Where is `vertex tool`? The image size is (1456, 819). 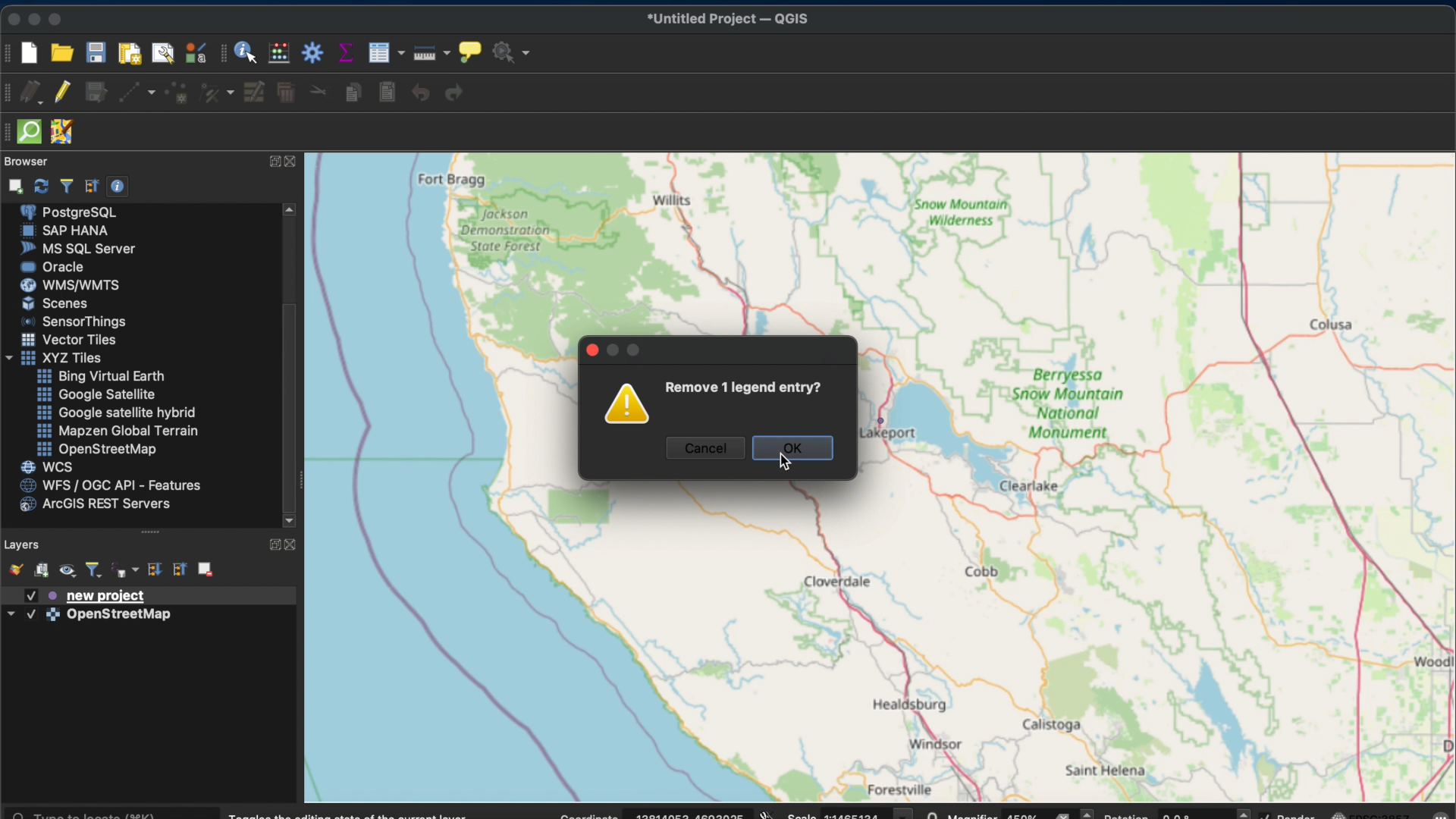 vertex tool is located at coordinates (215, 95).